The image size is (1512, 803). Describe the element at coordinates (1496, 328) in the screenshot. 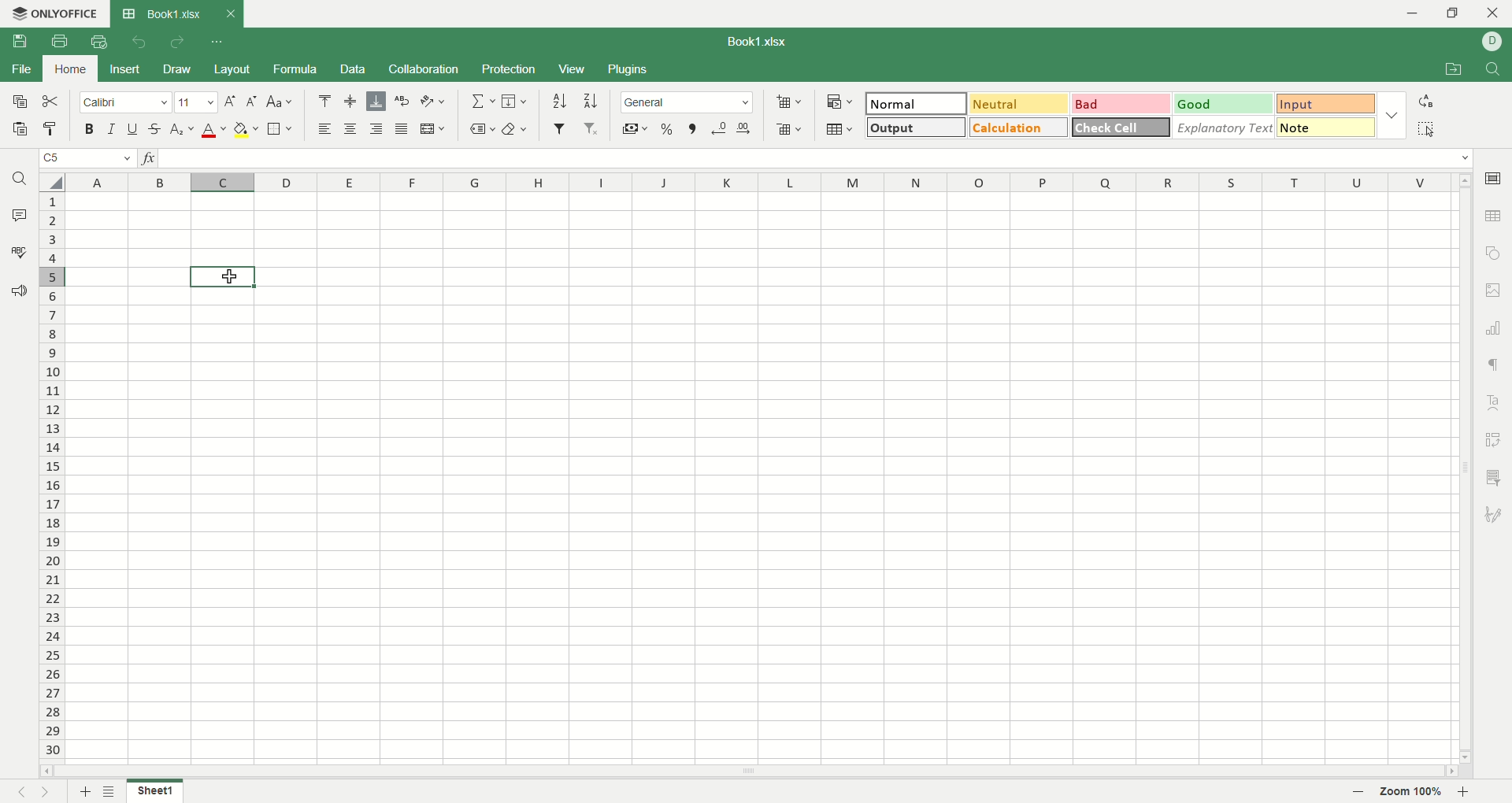

I see `chart setting` at that location.